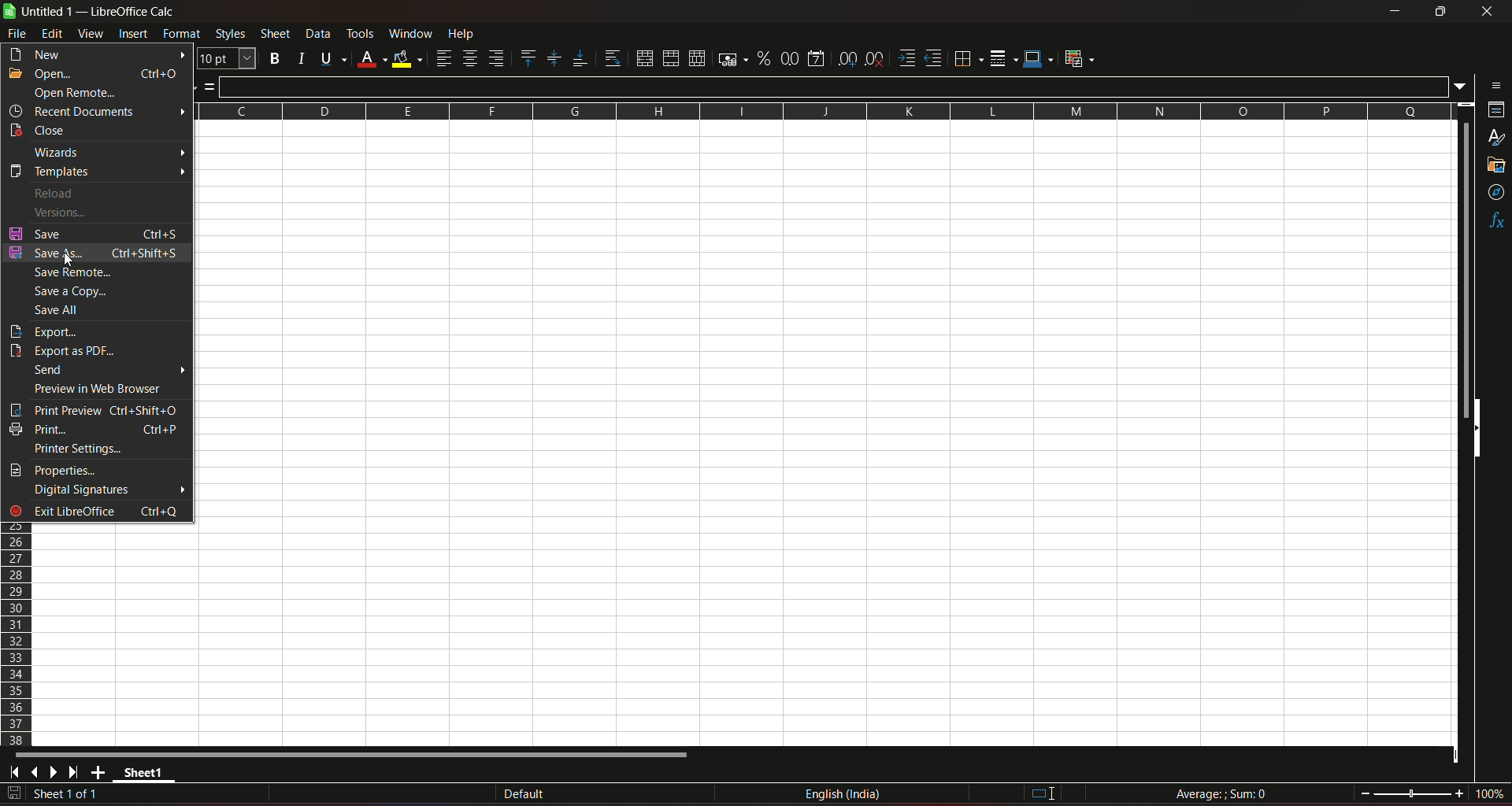 This screenshot has height=806, width=1512. What do you see at coordinates (101, 13) in the screenshot?
I see `untitled 1- libreoffice calc` at bounding box center [101, 13].